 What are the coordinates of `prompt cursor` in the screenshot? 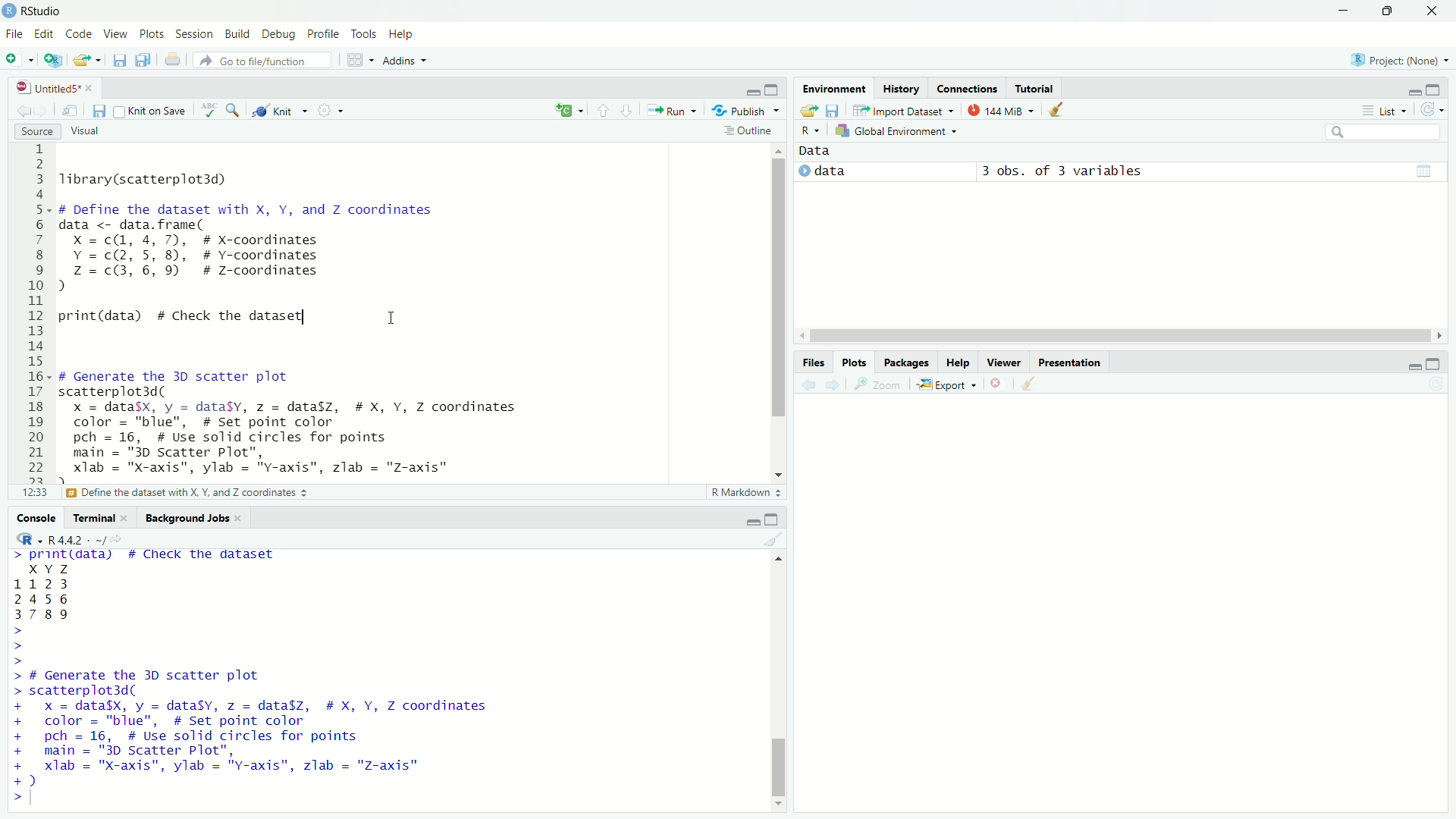 It's located at (13, 646).